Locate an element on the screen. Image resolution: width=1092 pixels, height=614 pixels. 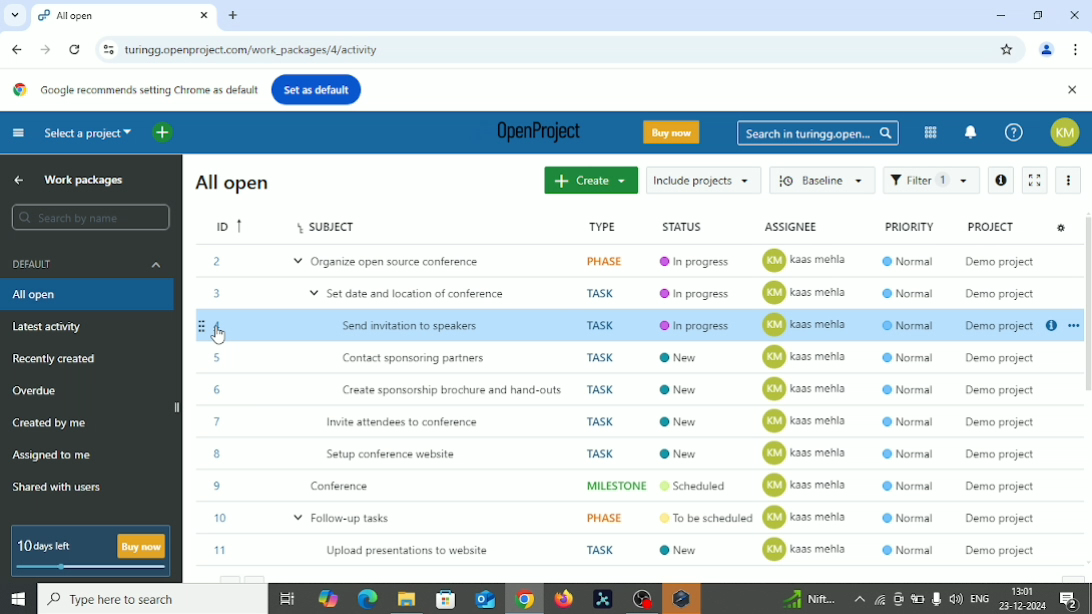
Forward is located at coordinates (45, 49).